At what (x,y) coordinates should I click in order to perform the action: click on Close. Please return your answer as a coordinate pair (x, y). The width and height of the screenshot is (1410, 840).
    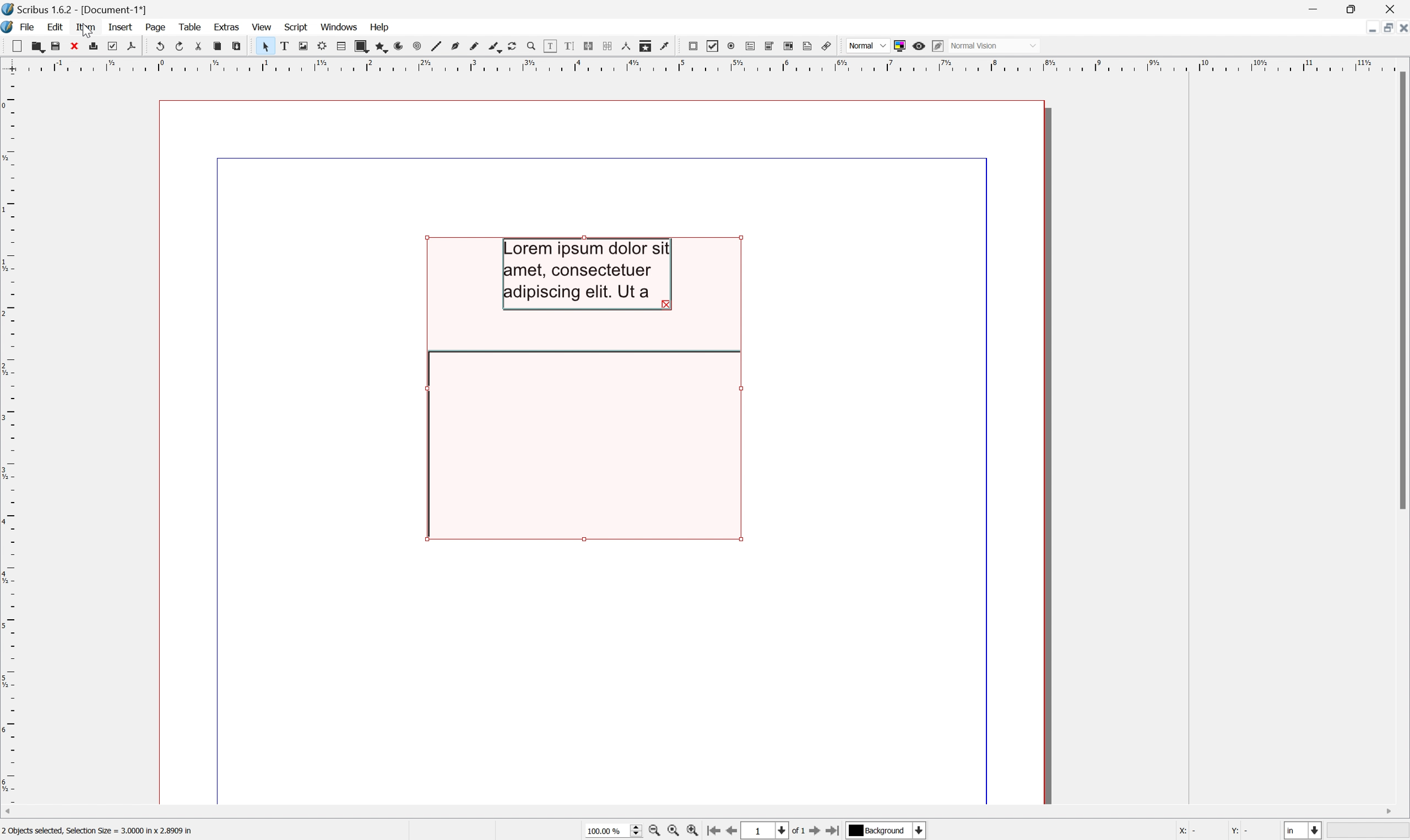
    Looking at the image, I should click on (75, 46).